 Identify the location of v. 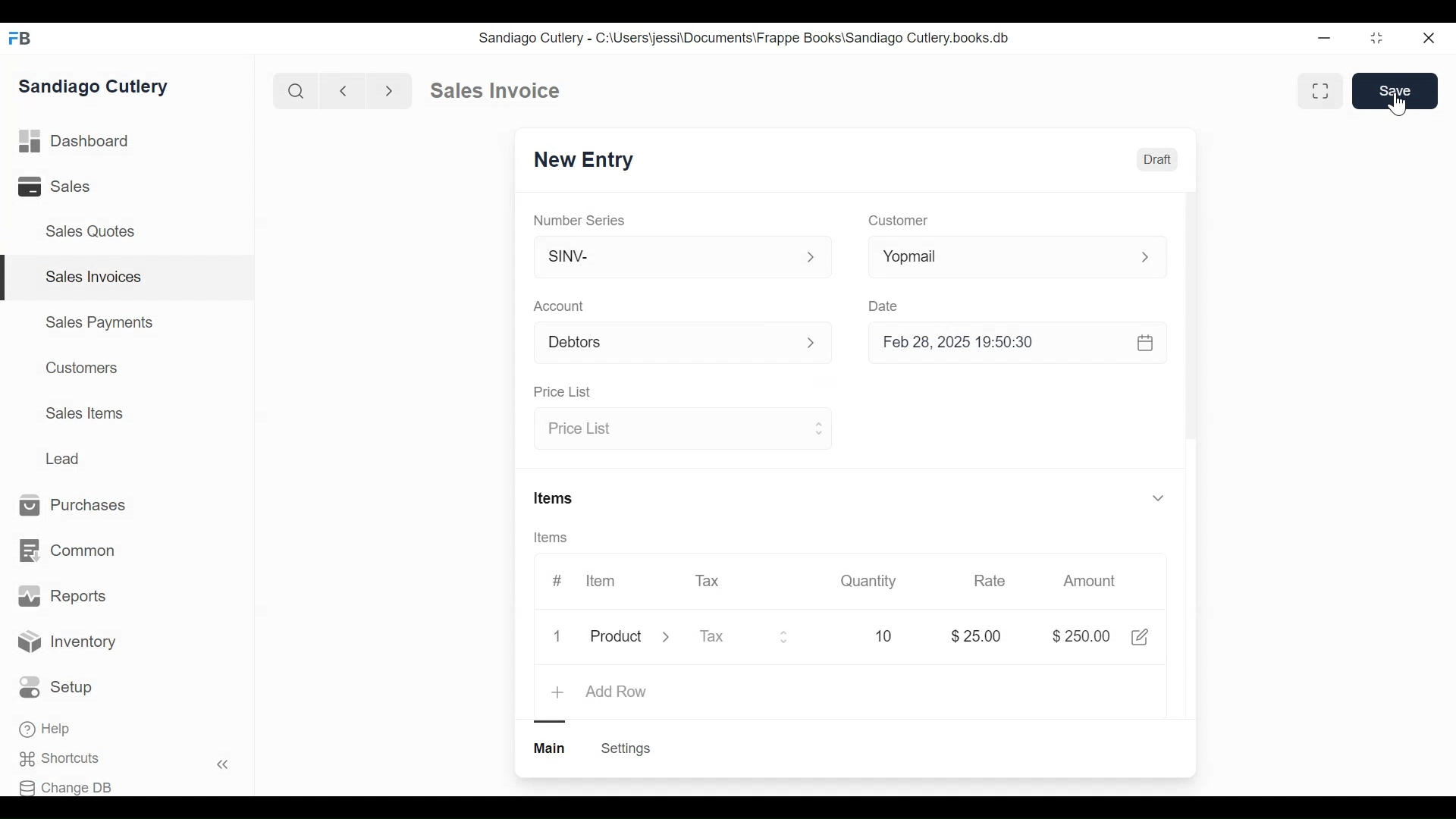
(1159, 499).